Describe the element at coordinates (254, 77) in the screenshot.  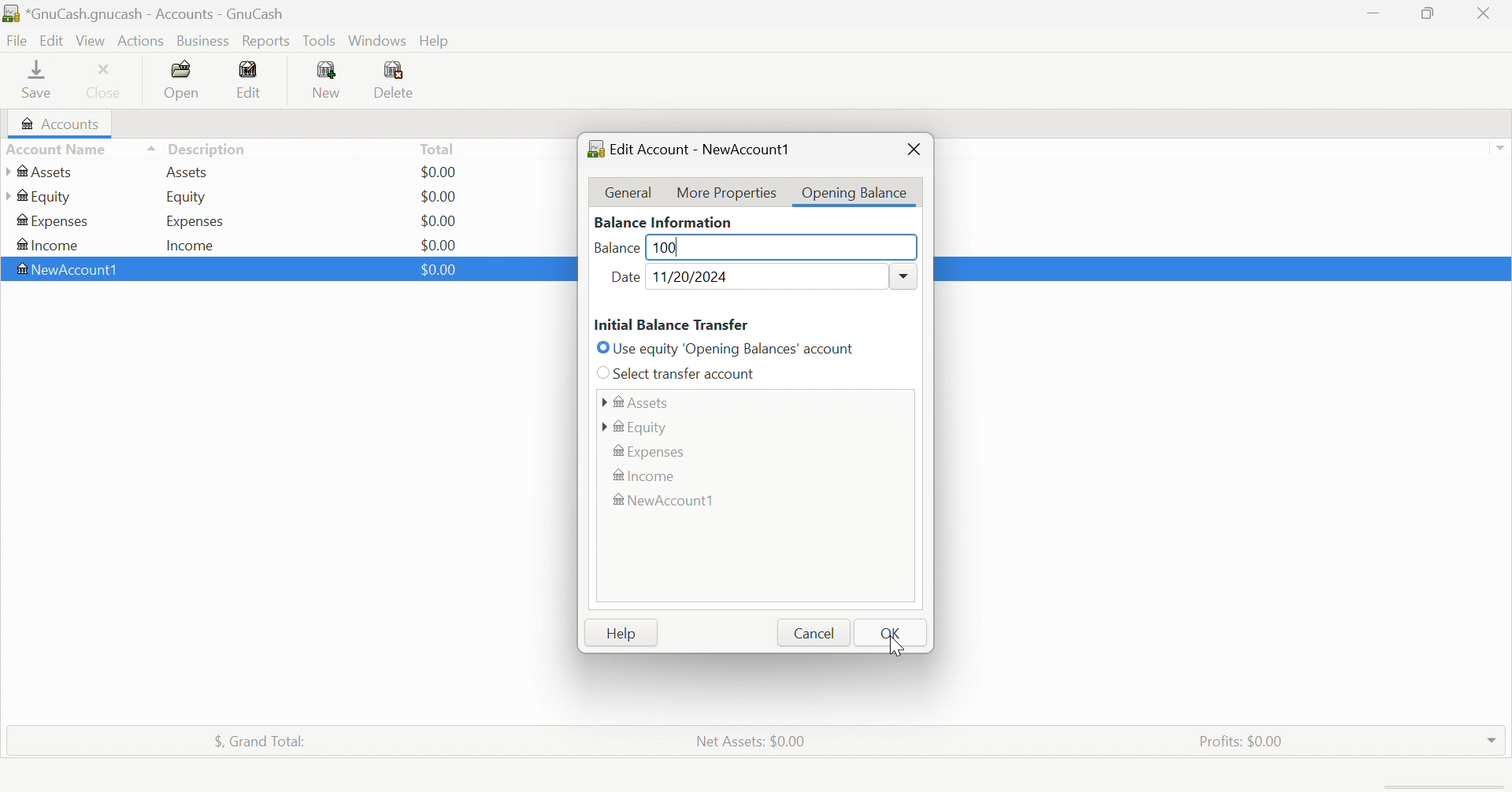
I see `Edit` at that location.